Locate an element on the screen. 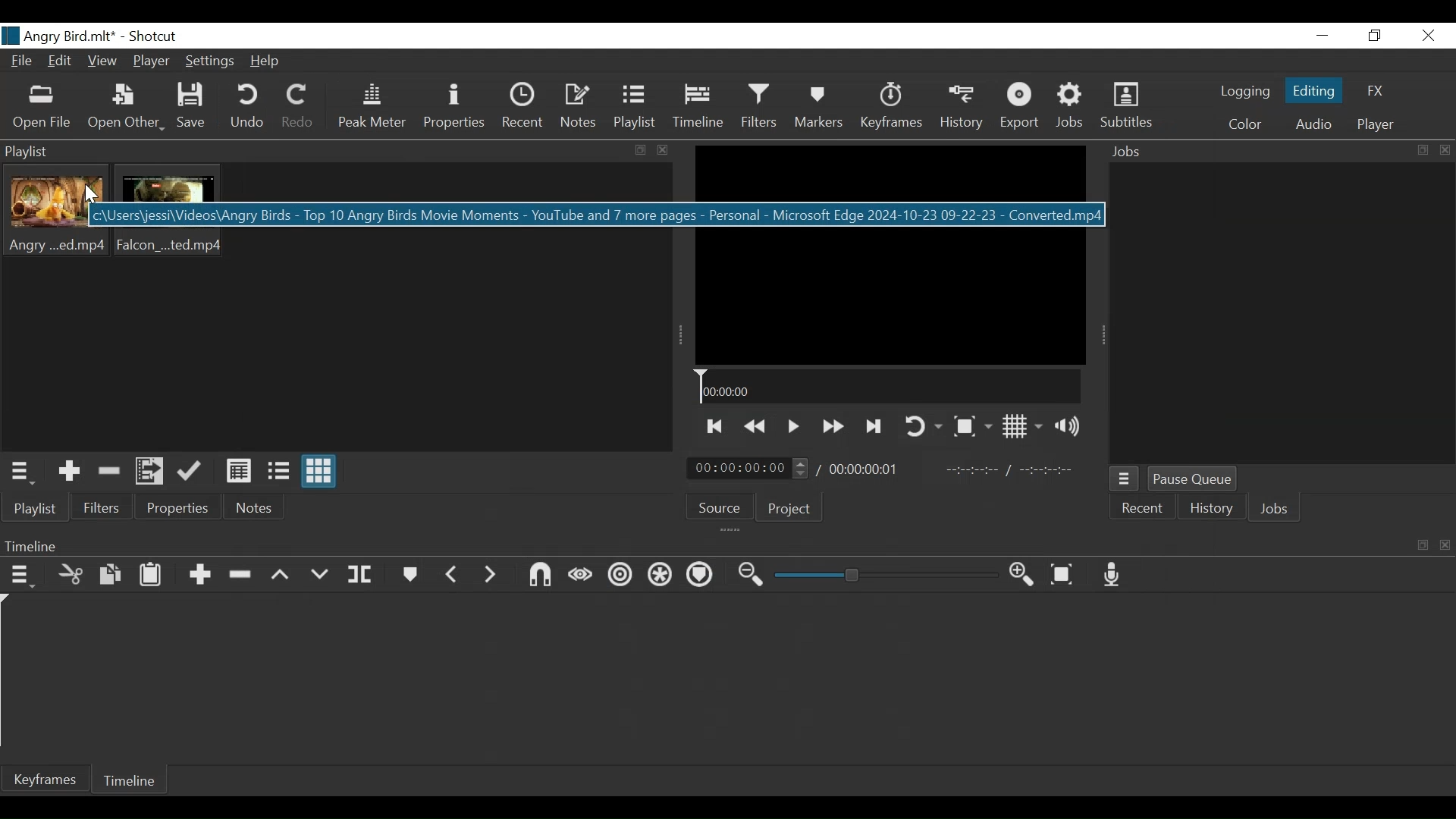 The height and width of the screenshot is (819, 1456). Play forward quickly is located at coordinates (832, 427).